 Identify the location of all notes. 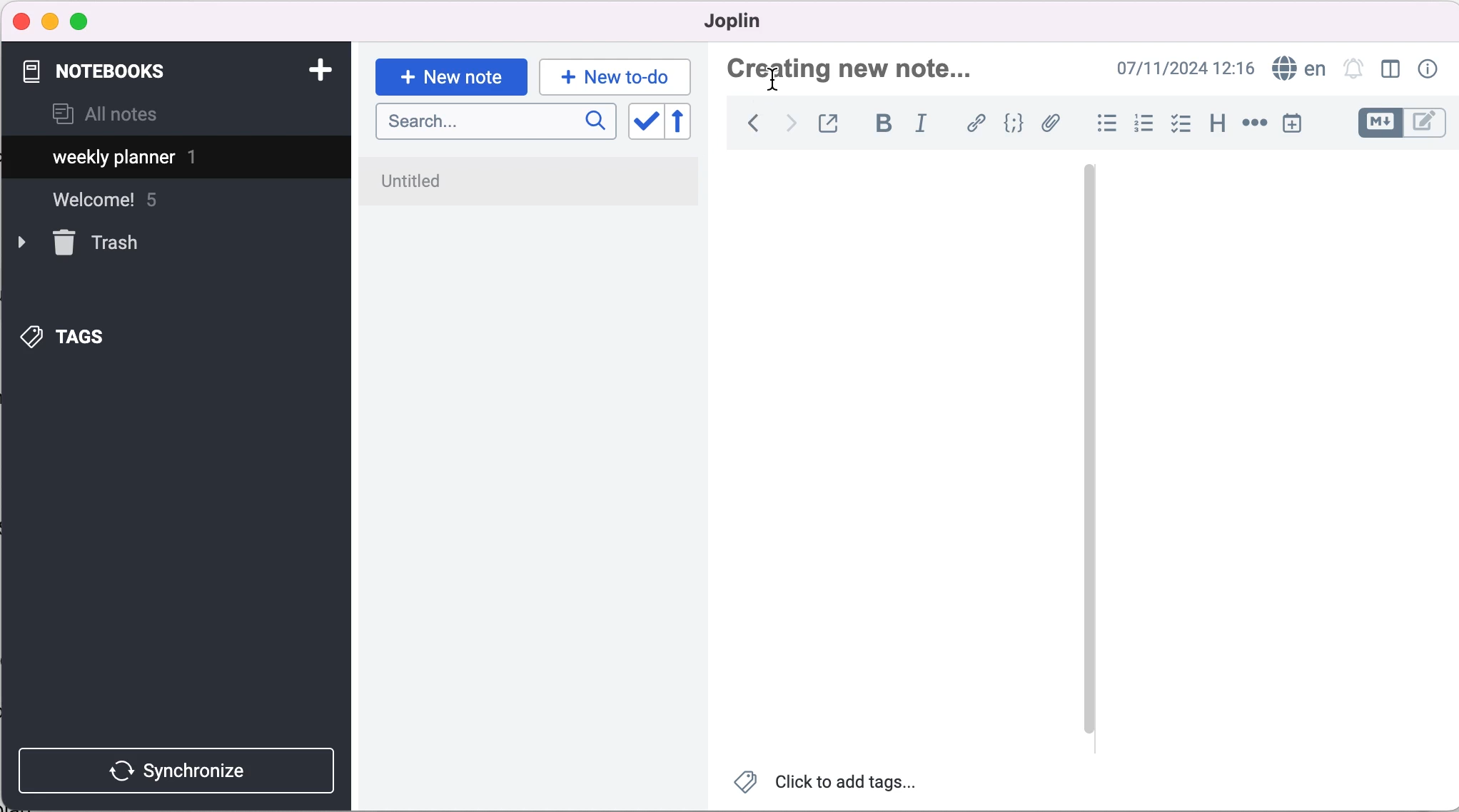
(105, 116).